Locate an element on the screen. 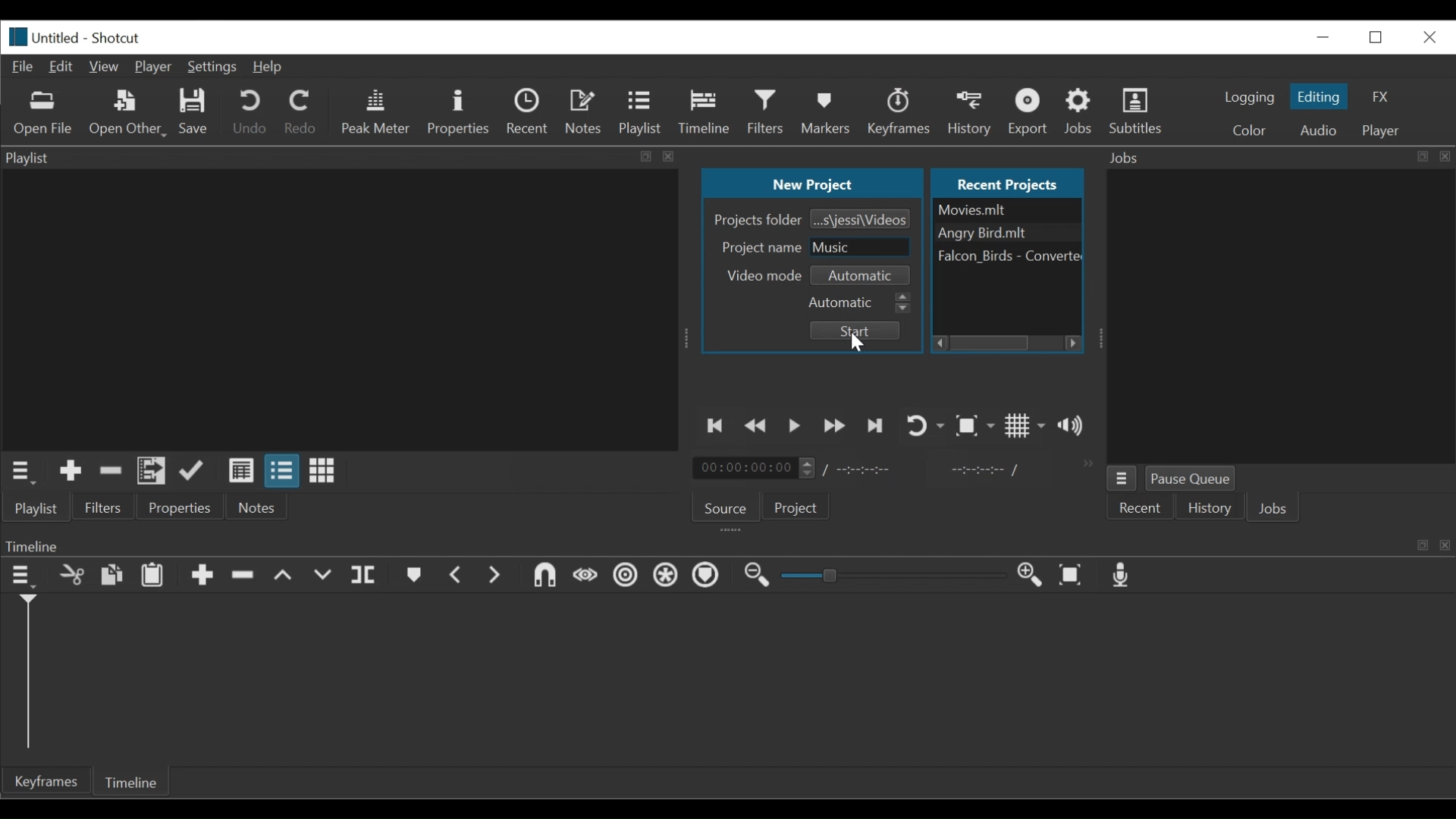 This screenshot has height=819, width=1456. Redo is located at coordinates (304, 112).